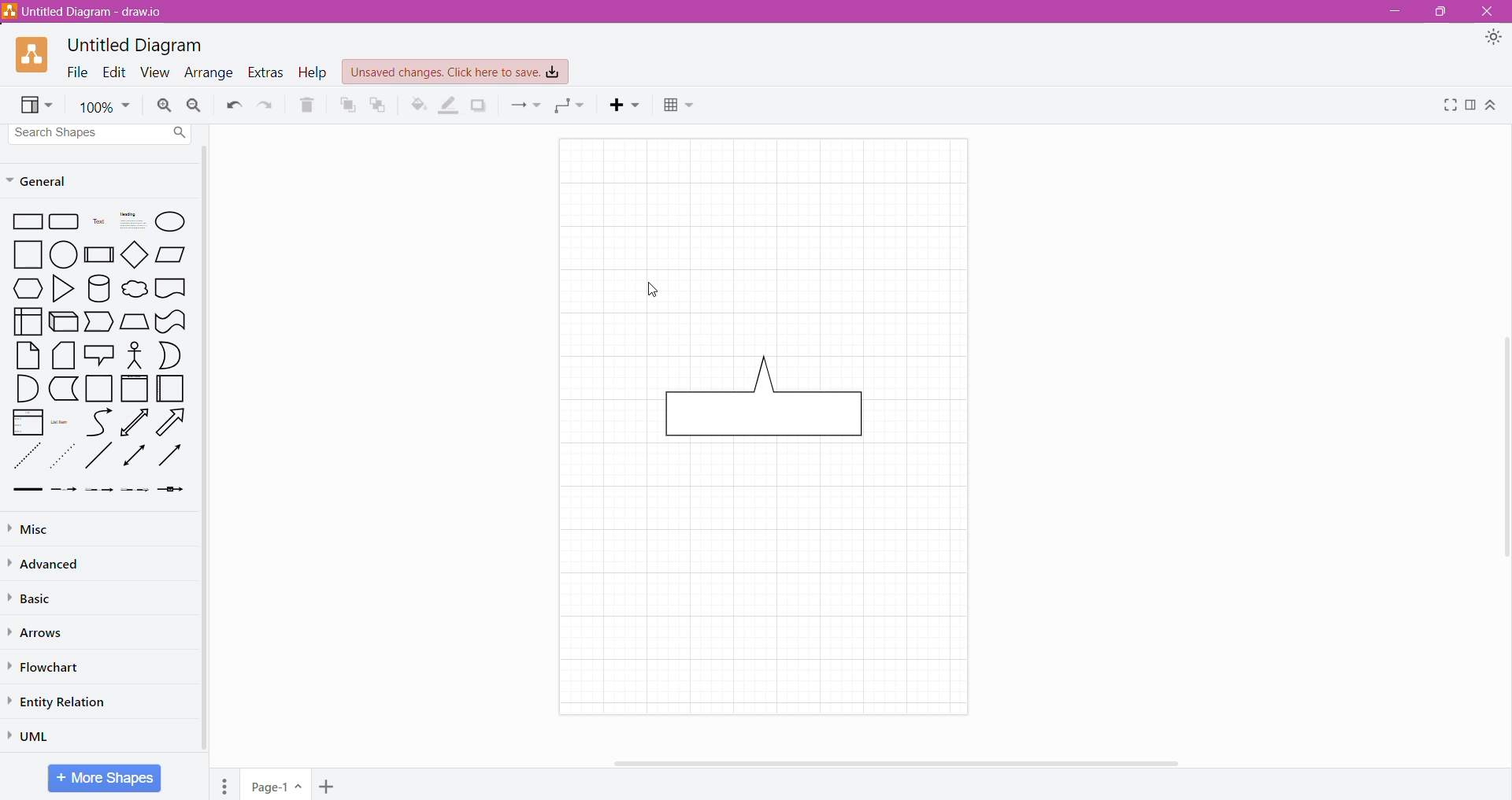 This screenshot has width=1512, height=800. What do you see at coordinates (209, 72) in the screenshot?
I see `Arrange` at bounding box center [209, 72].